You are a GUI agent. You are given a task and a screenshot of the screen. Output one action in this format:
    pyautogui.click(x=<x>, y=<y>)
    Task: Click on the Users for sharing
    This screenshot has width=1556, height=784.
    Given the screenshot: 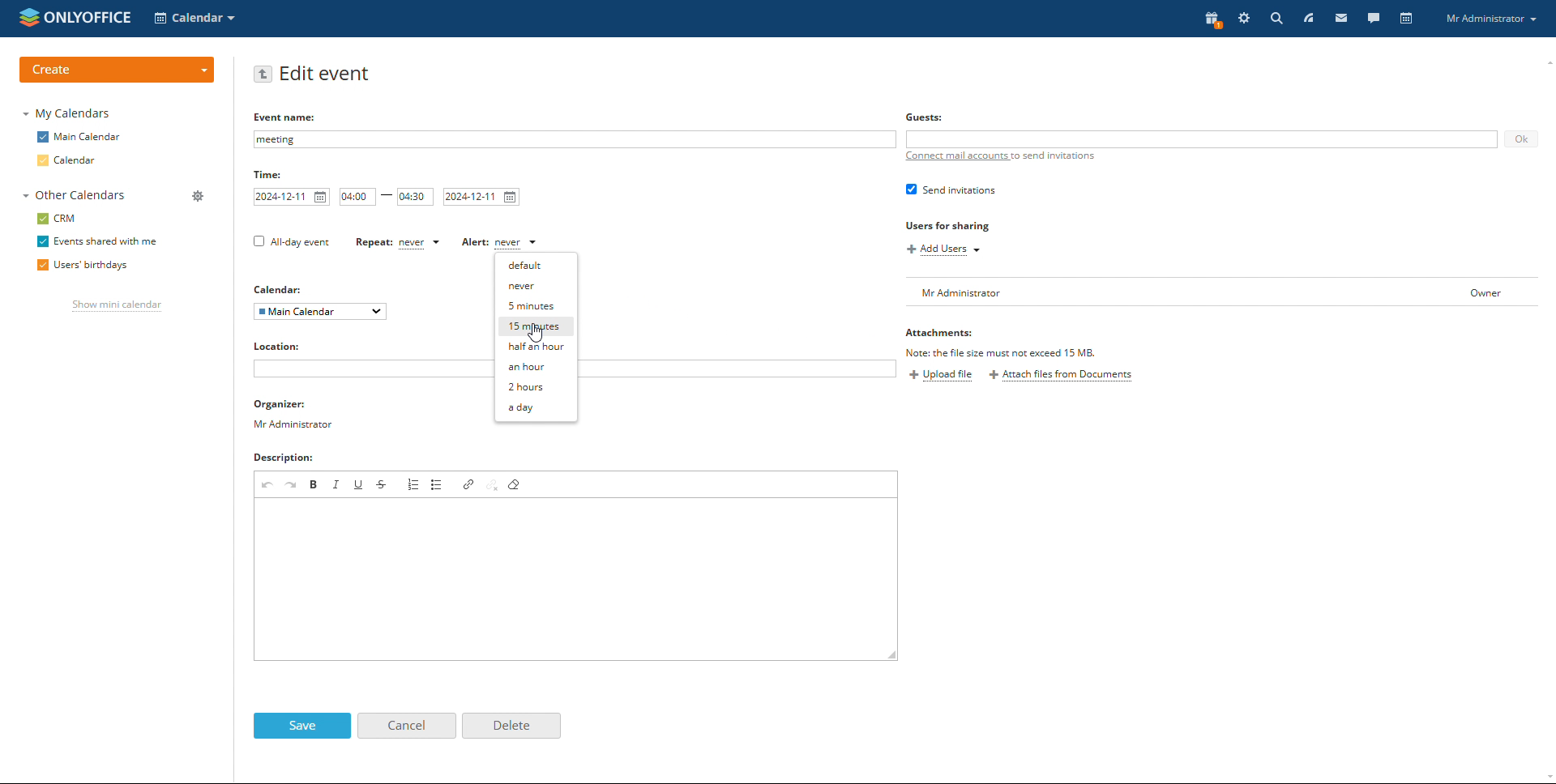 What is the action you would take?
    pyautogui.click(x=948, y=225)
    